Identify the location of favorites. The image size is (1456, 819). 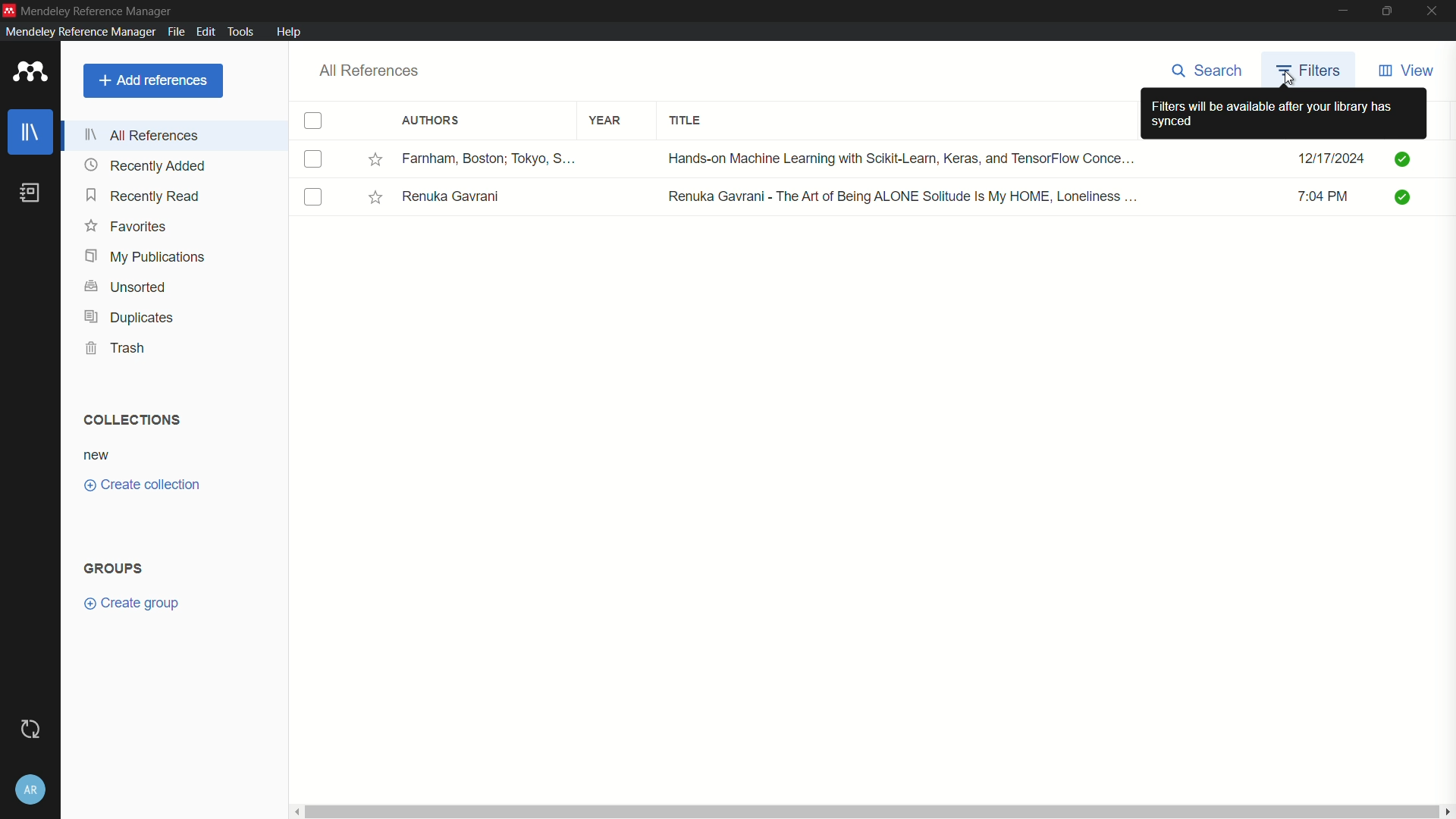
(127, 227).